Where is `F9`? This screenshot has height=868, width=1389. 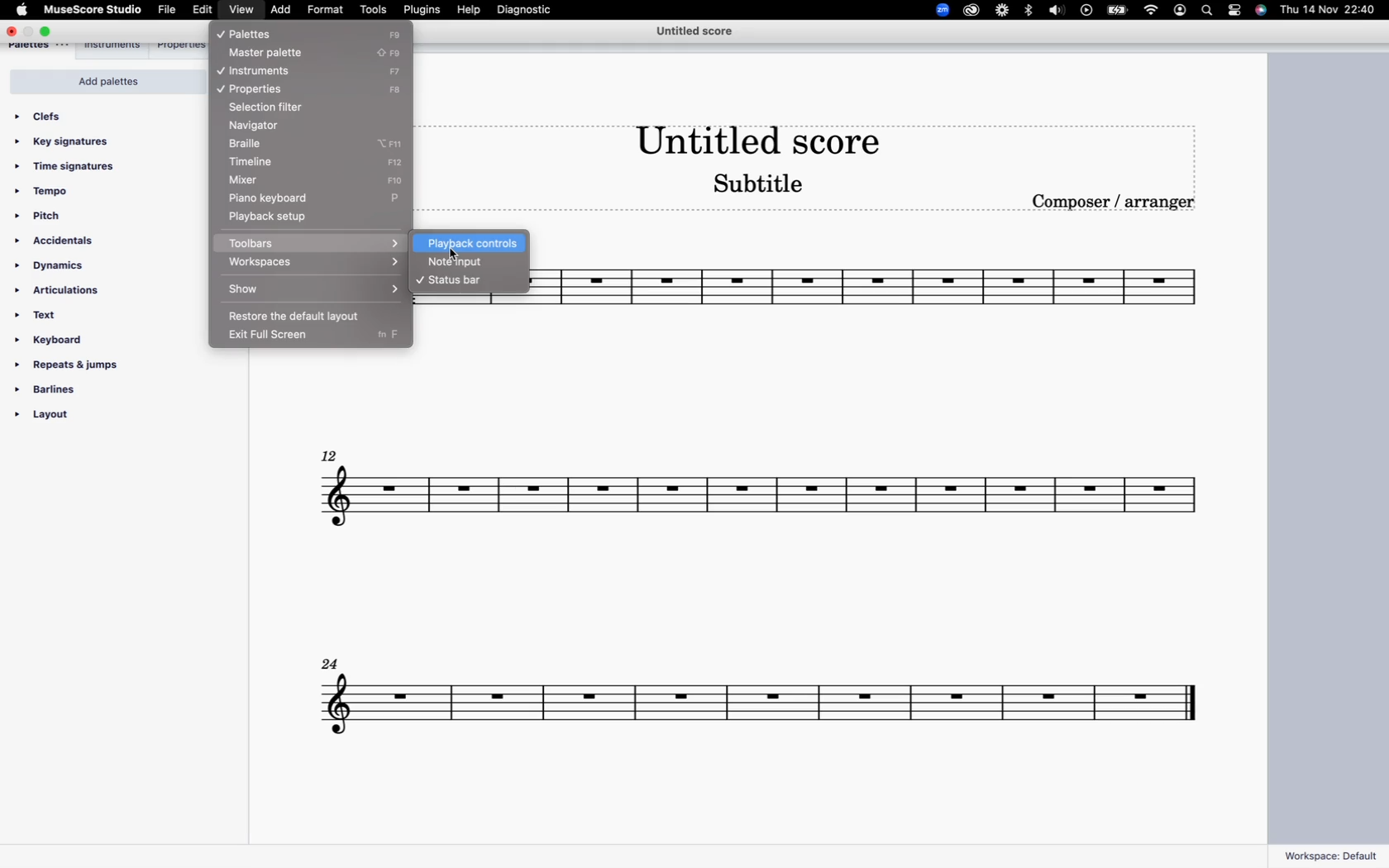 F9 is located at coordinates (400, 34).